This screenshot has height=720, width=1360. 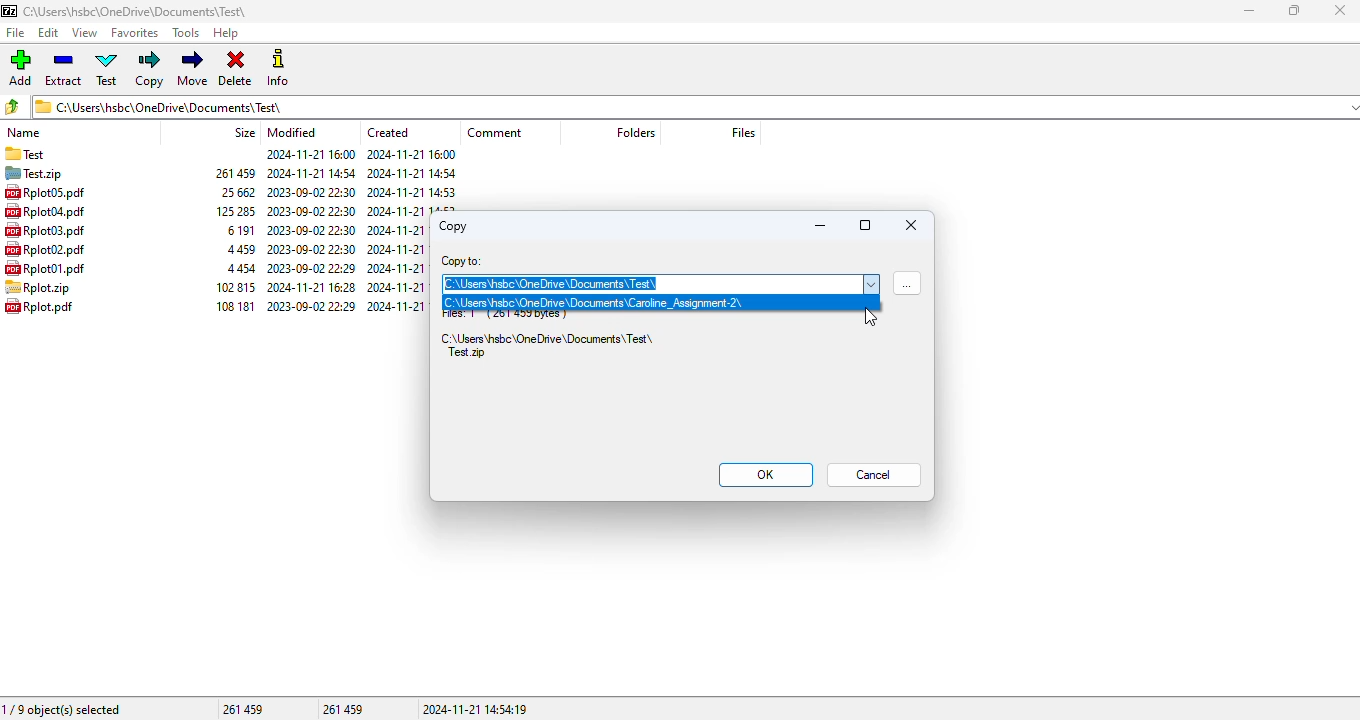 I want to click on delete, so click(x=236, y=69).